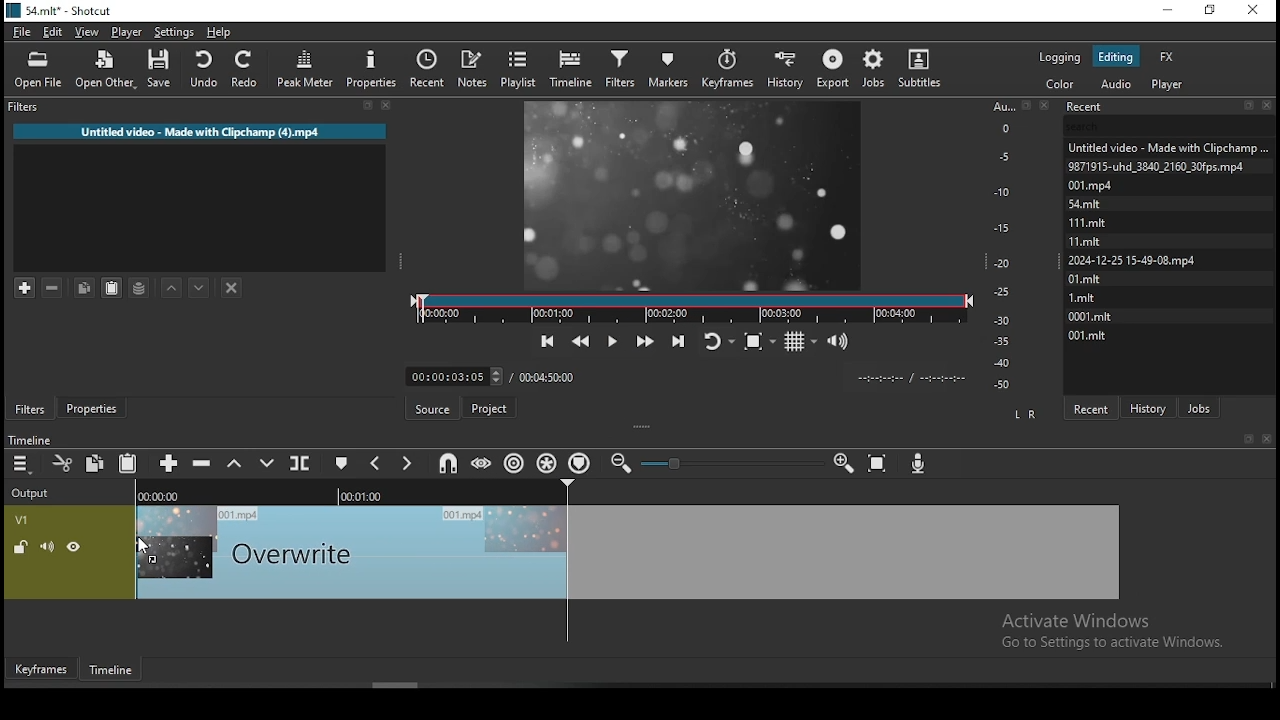 This screenshot has height=720, width=1280. I want to click on fx, so click(1168, 56).